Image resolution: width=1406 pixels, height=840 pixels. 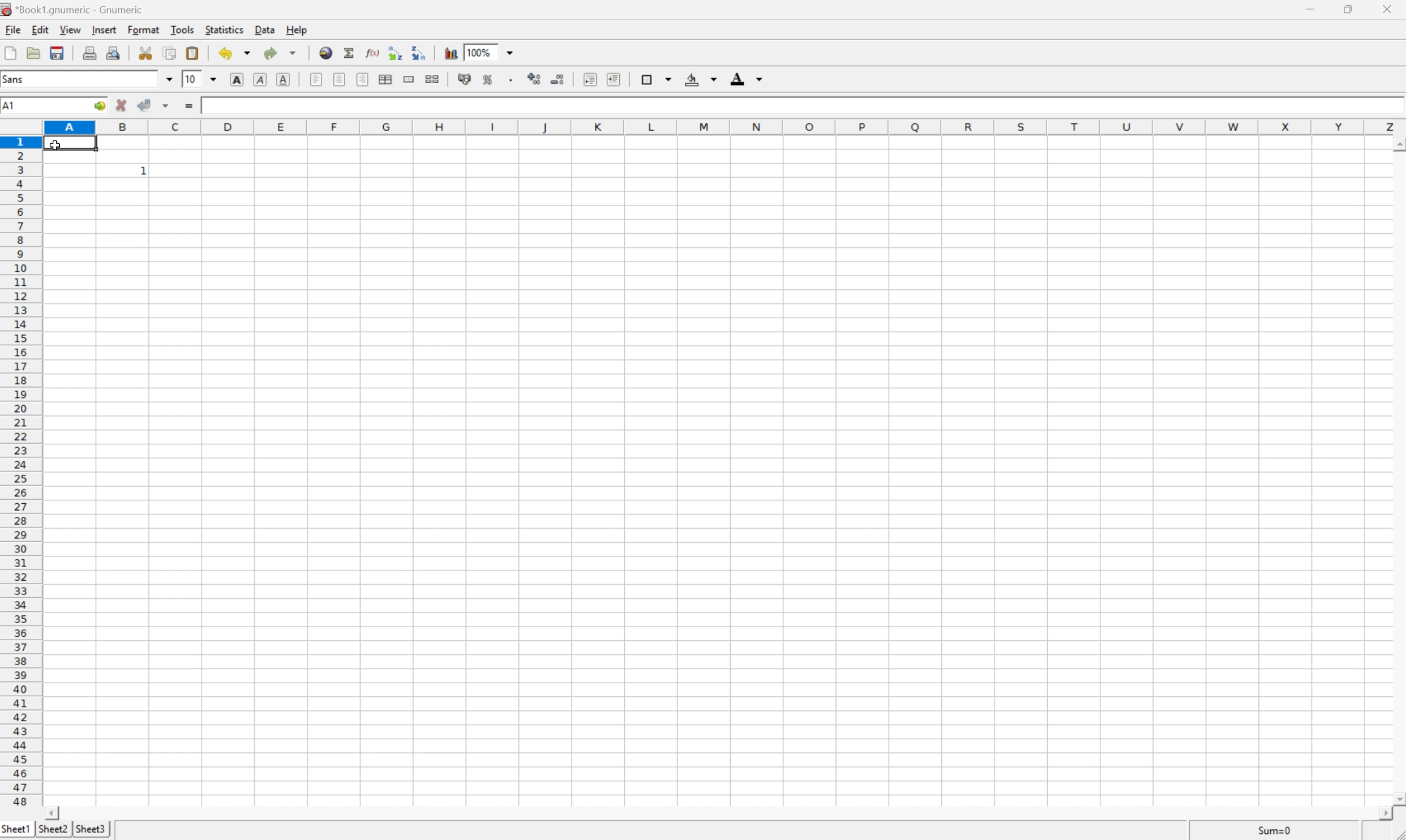 I want to click on font size 10, so click(x=200, y=80).